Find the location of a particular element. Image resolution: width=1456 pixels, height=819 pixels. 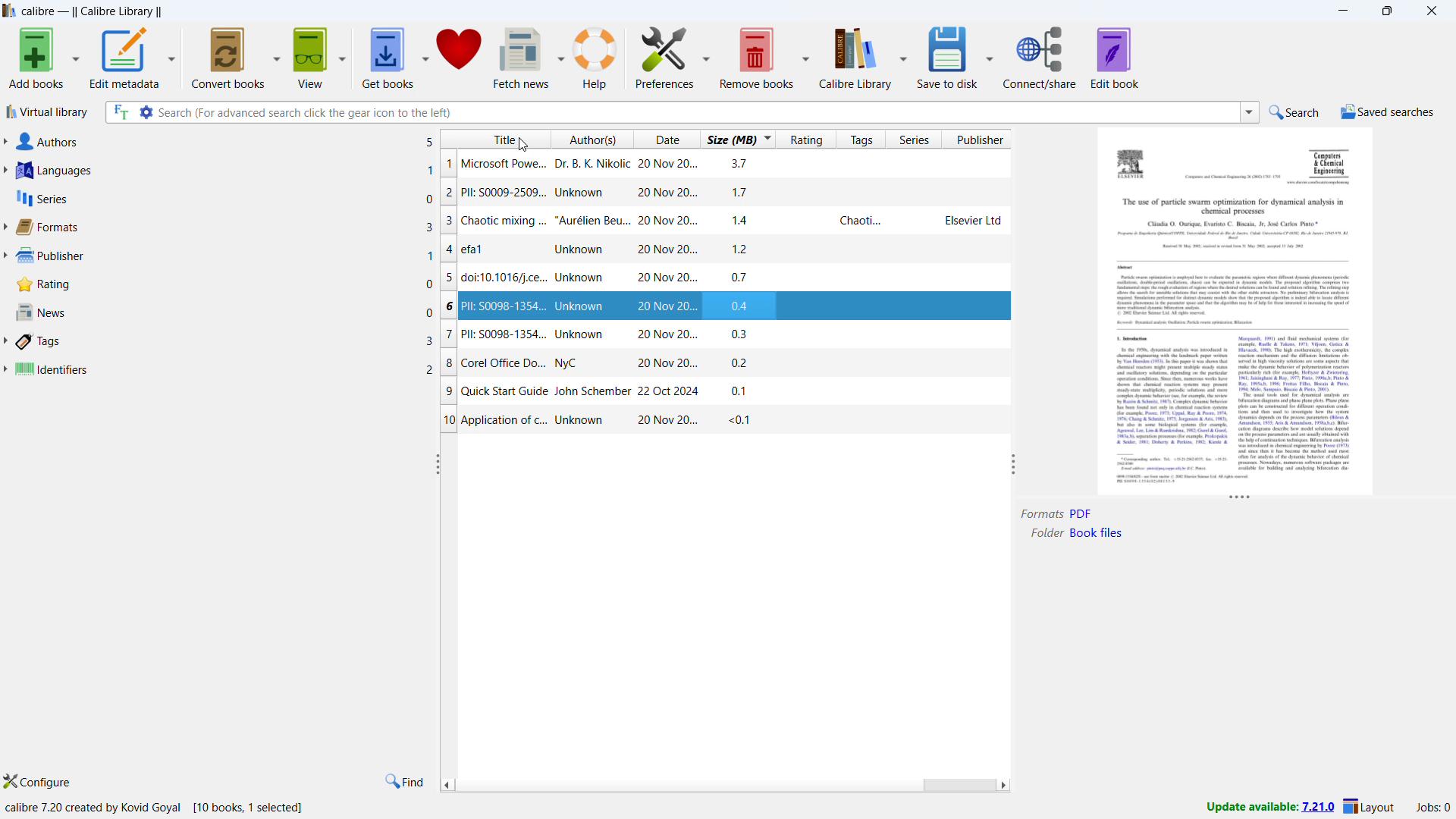

1 is located at coordinates (449, 165).